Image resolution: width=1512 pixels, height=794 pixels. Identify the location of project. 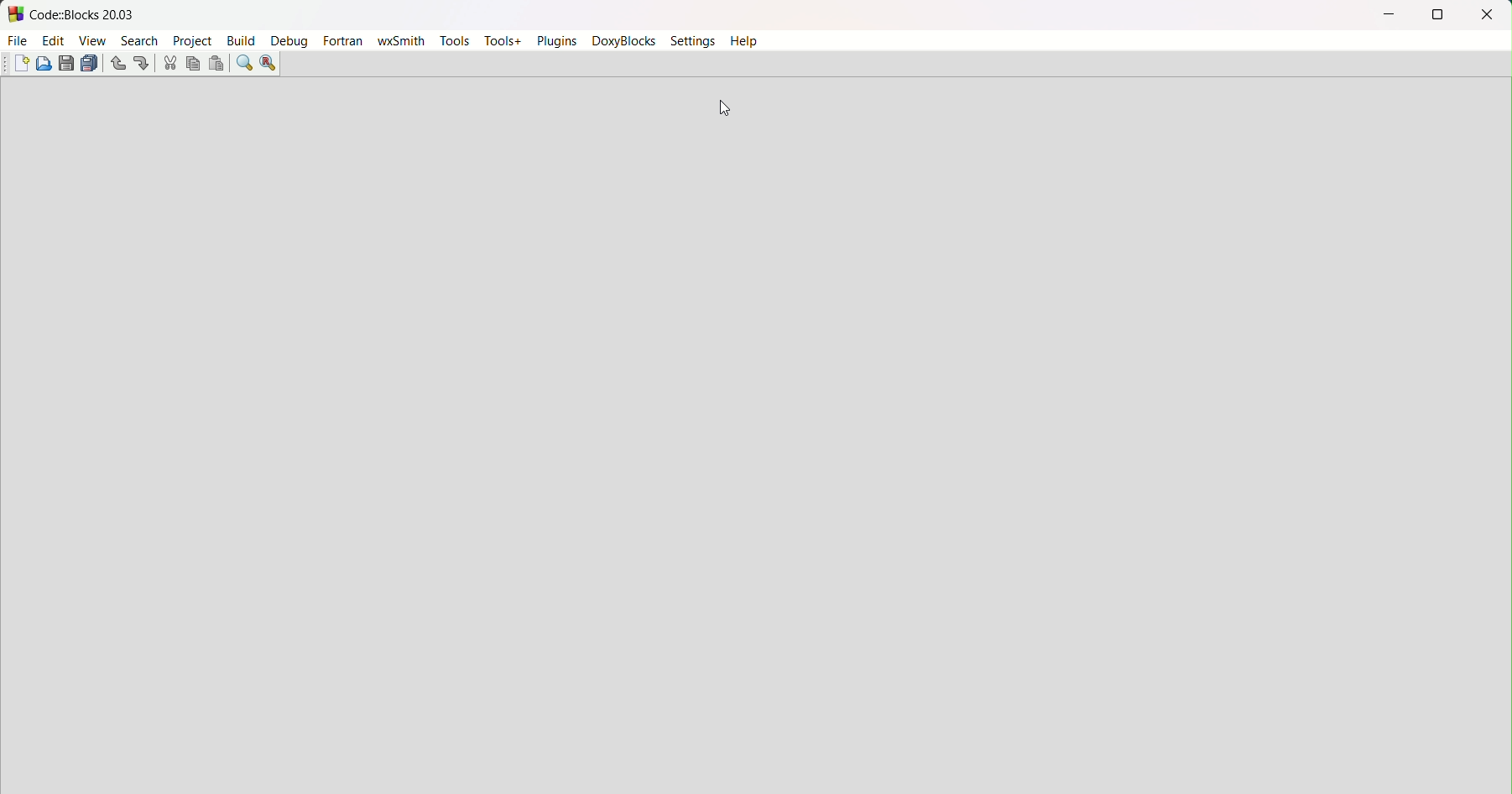
(191, 42).